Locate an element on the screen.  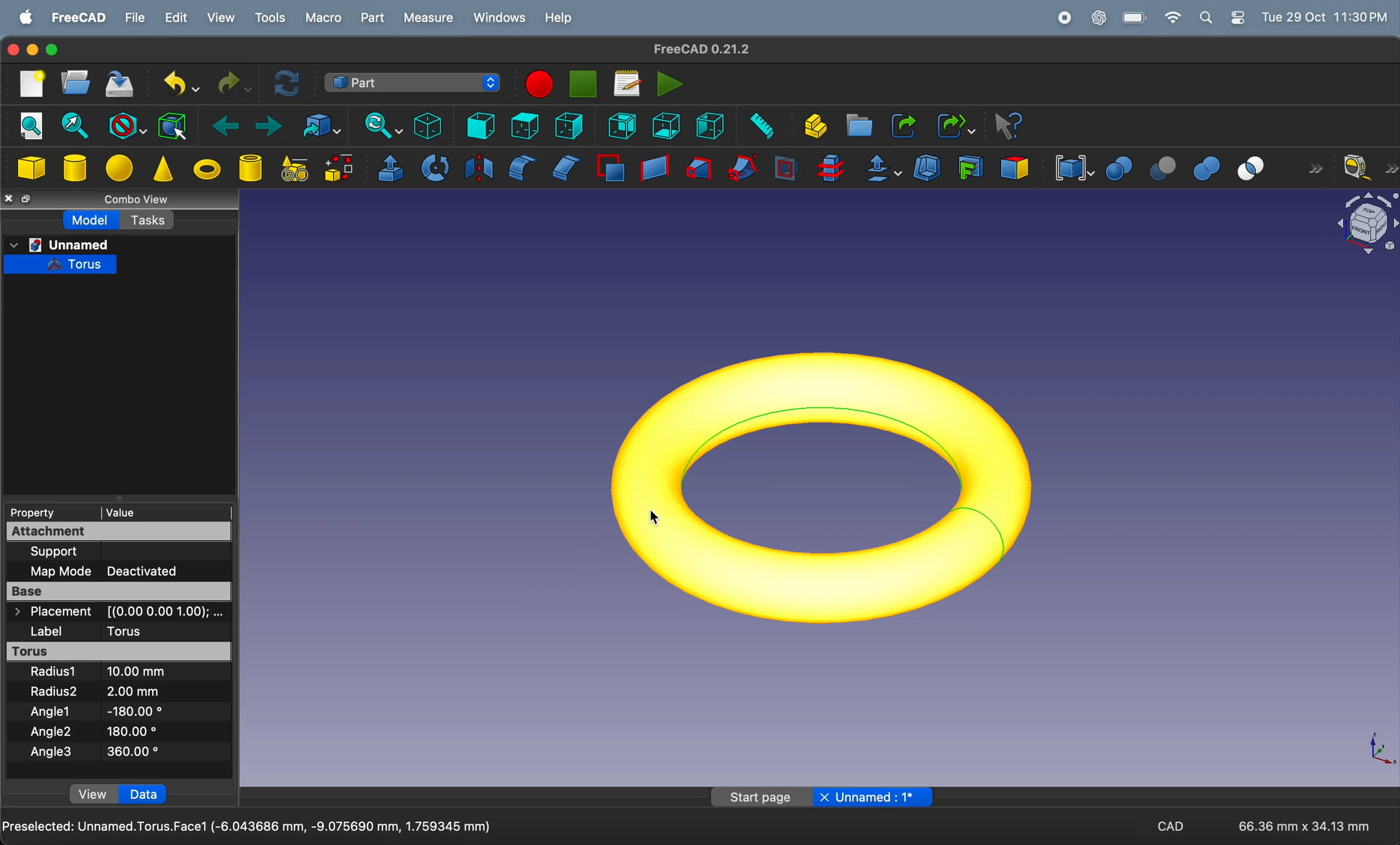
axis is located at coordinates (1380, 749).